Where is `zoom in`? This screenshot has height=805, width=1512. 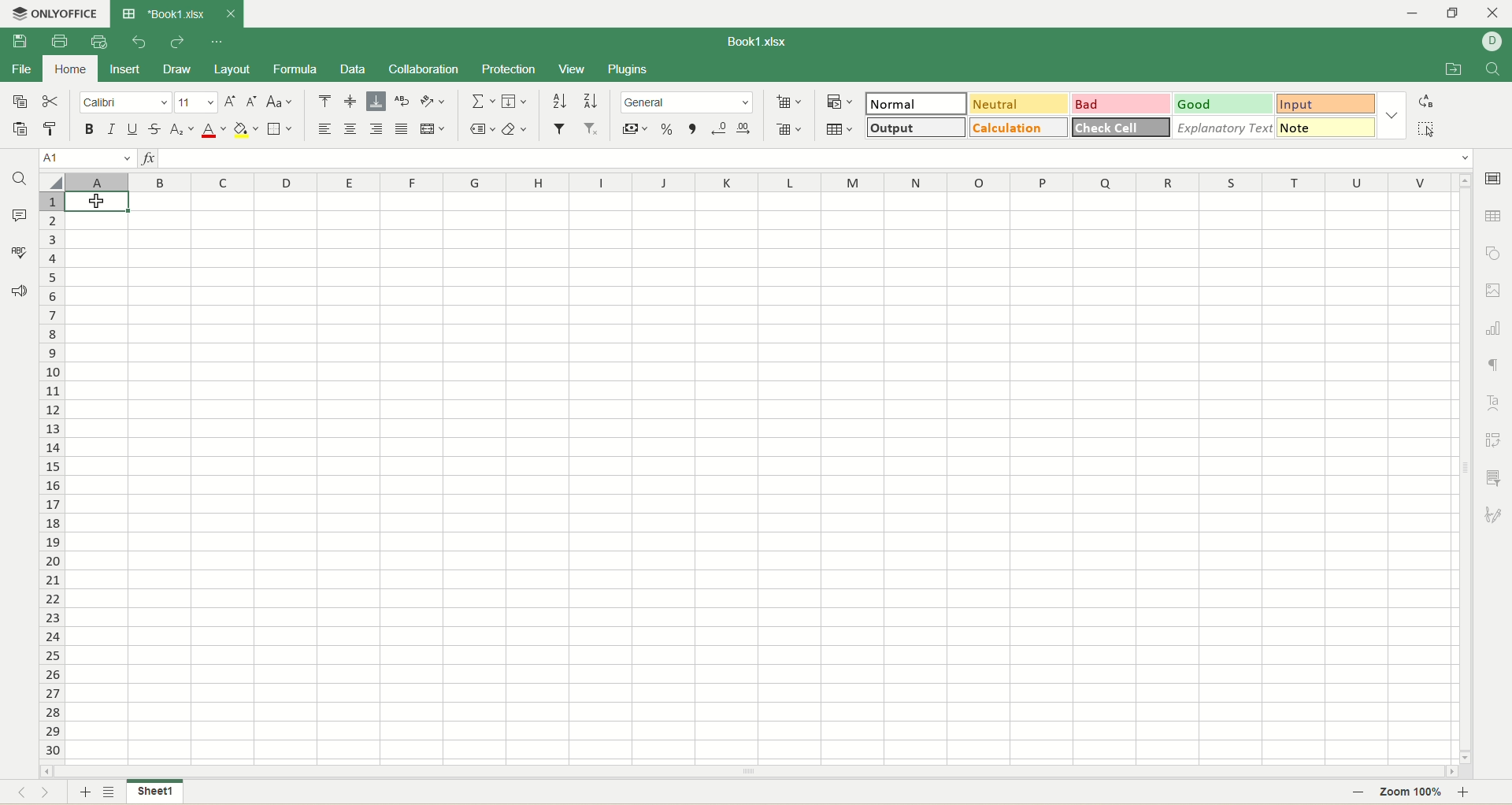
zoom in is located at coordinates (1471, 792).